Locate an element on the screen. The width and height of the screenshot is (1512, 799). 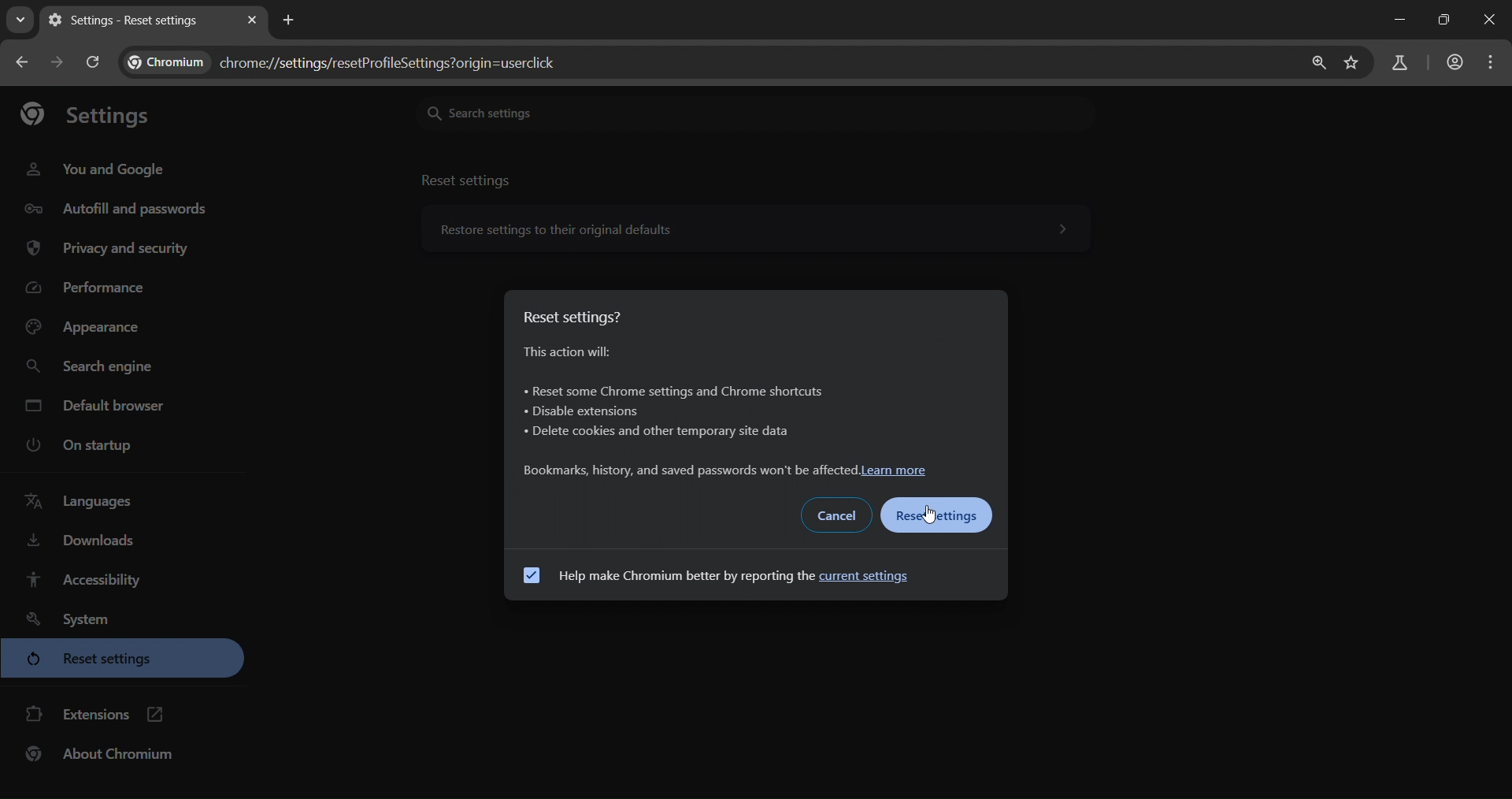
text is located at coordinates (346, 62).